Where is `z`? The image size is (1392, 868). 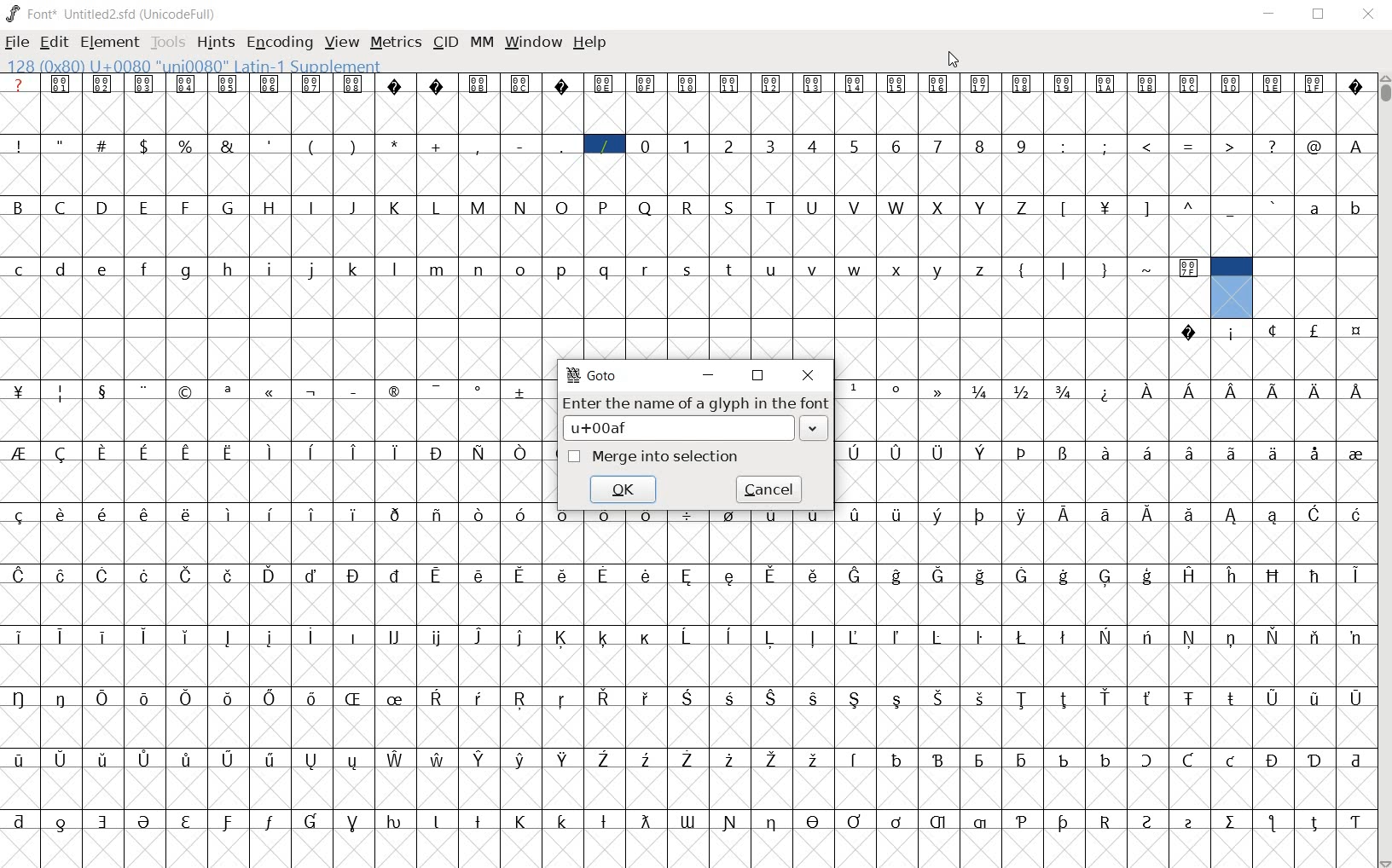 z is located at coordinates (981, 269).